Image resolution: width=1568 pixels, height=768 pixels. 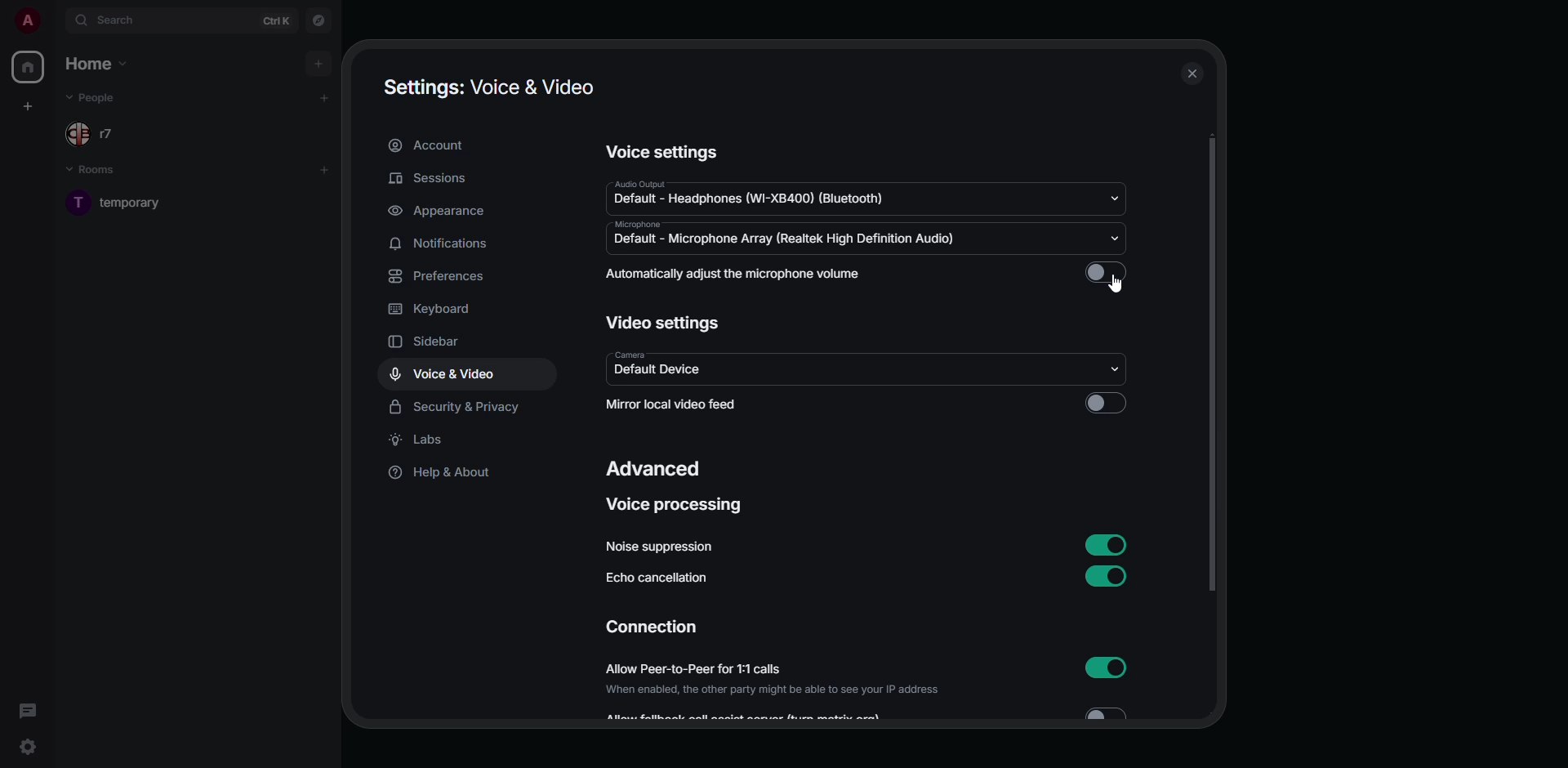 What do you see at coordinates (664, 151) in the screenshot?
I see `voice settings` at bounding box center [664, 151].